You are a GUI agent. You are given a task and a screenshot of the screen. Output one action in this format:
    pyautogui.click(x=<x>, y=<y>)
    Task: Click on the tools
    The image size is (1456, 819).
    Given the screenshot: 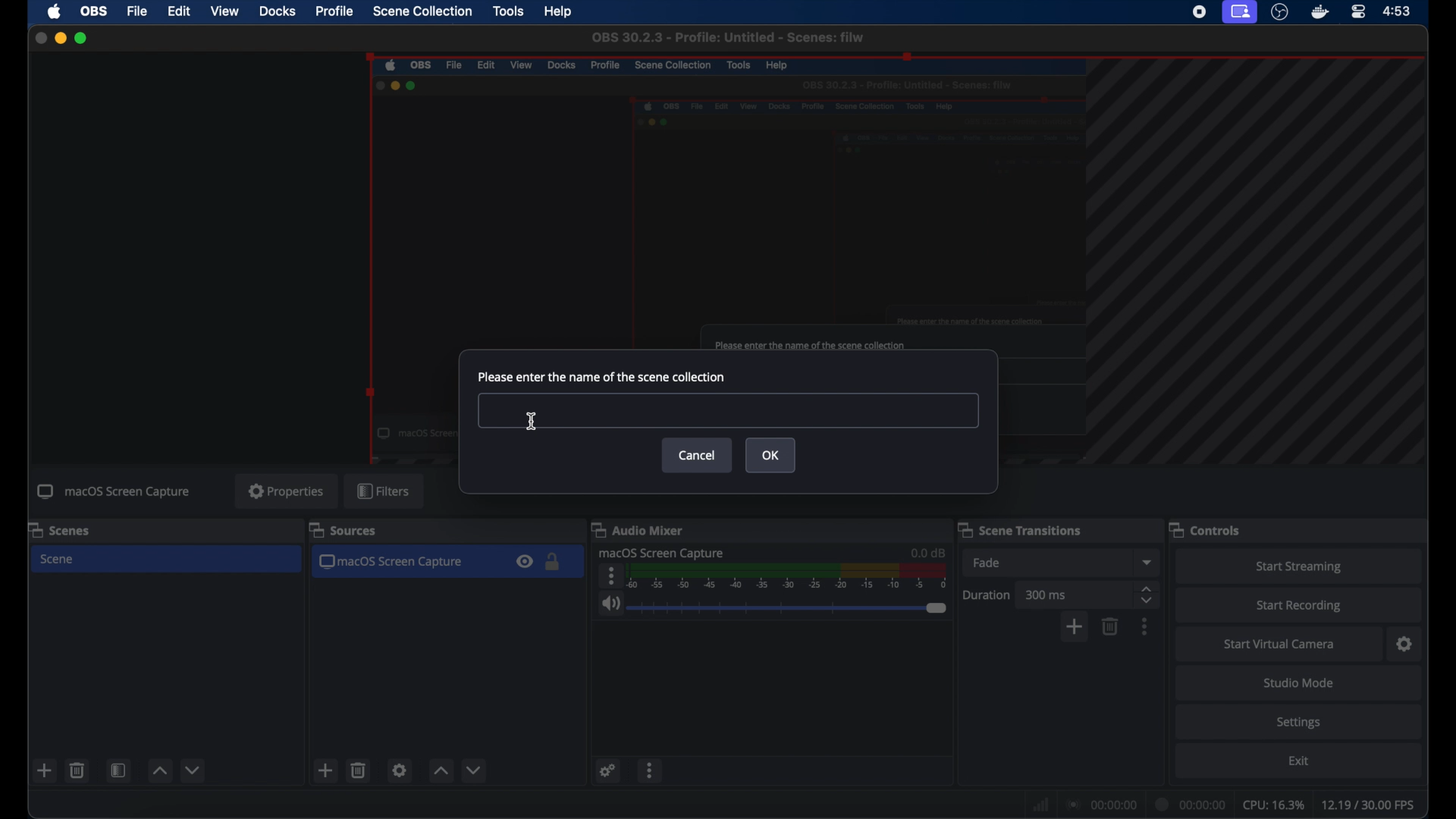 What is the action you would take?
    pyautogui.click(x=508, y=11)
    